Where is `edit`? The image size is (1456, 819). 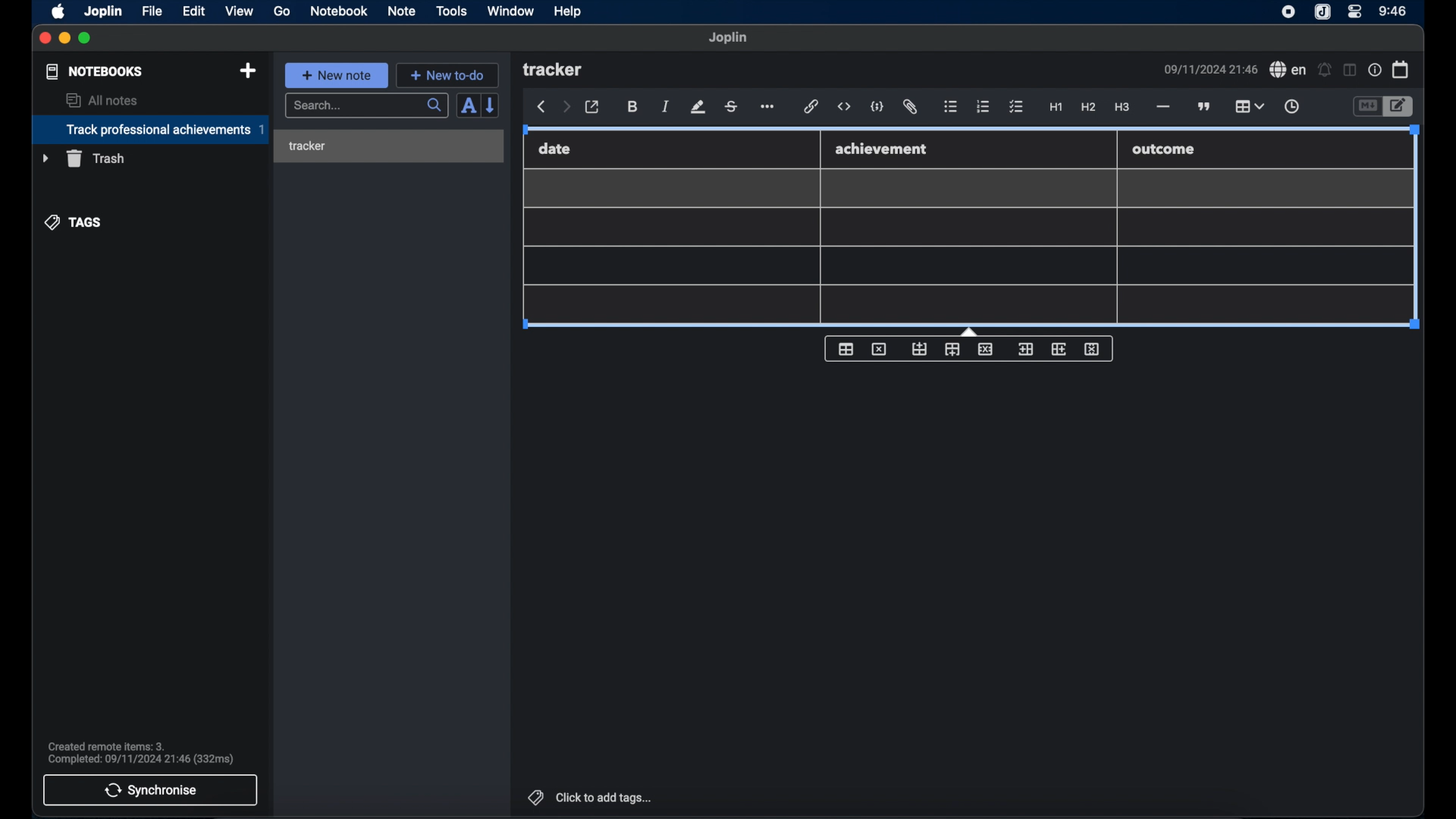 edit is located at coordinates (195, 11).